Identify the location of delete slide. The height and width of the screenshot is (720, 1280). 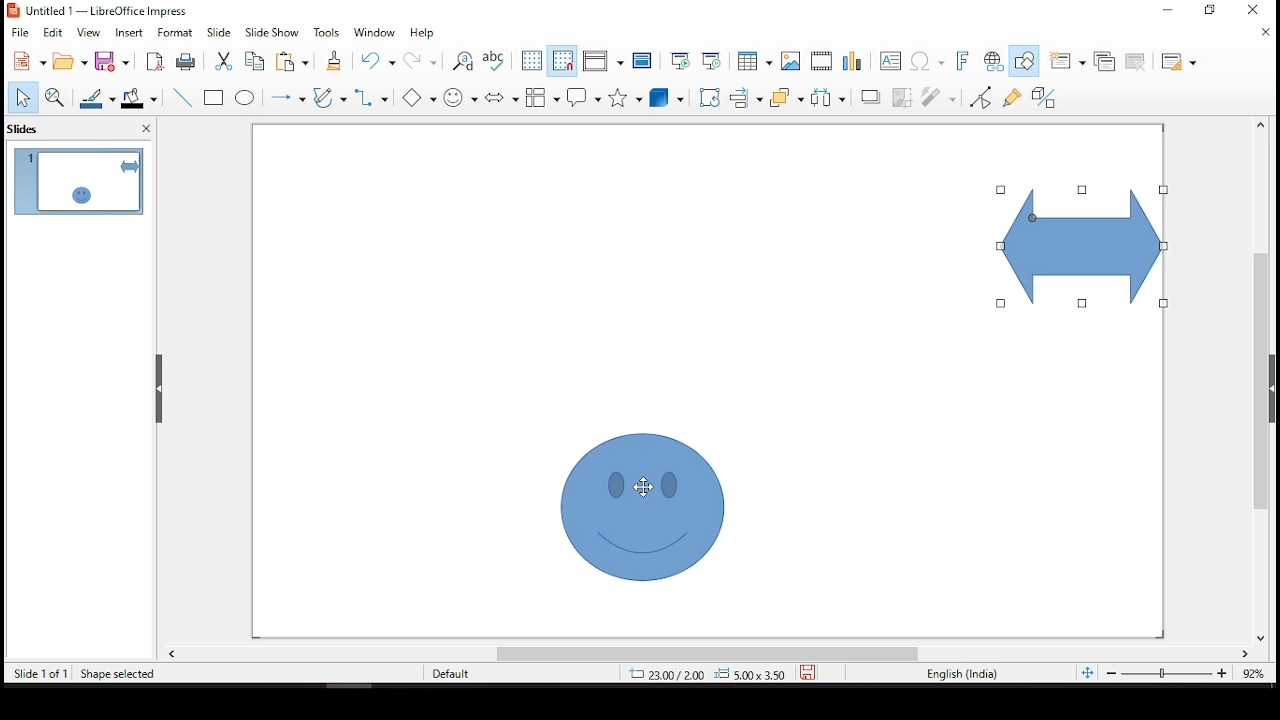
(1135, 62).